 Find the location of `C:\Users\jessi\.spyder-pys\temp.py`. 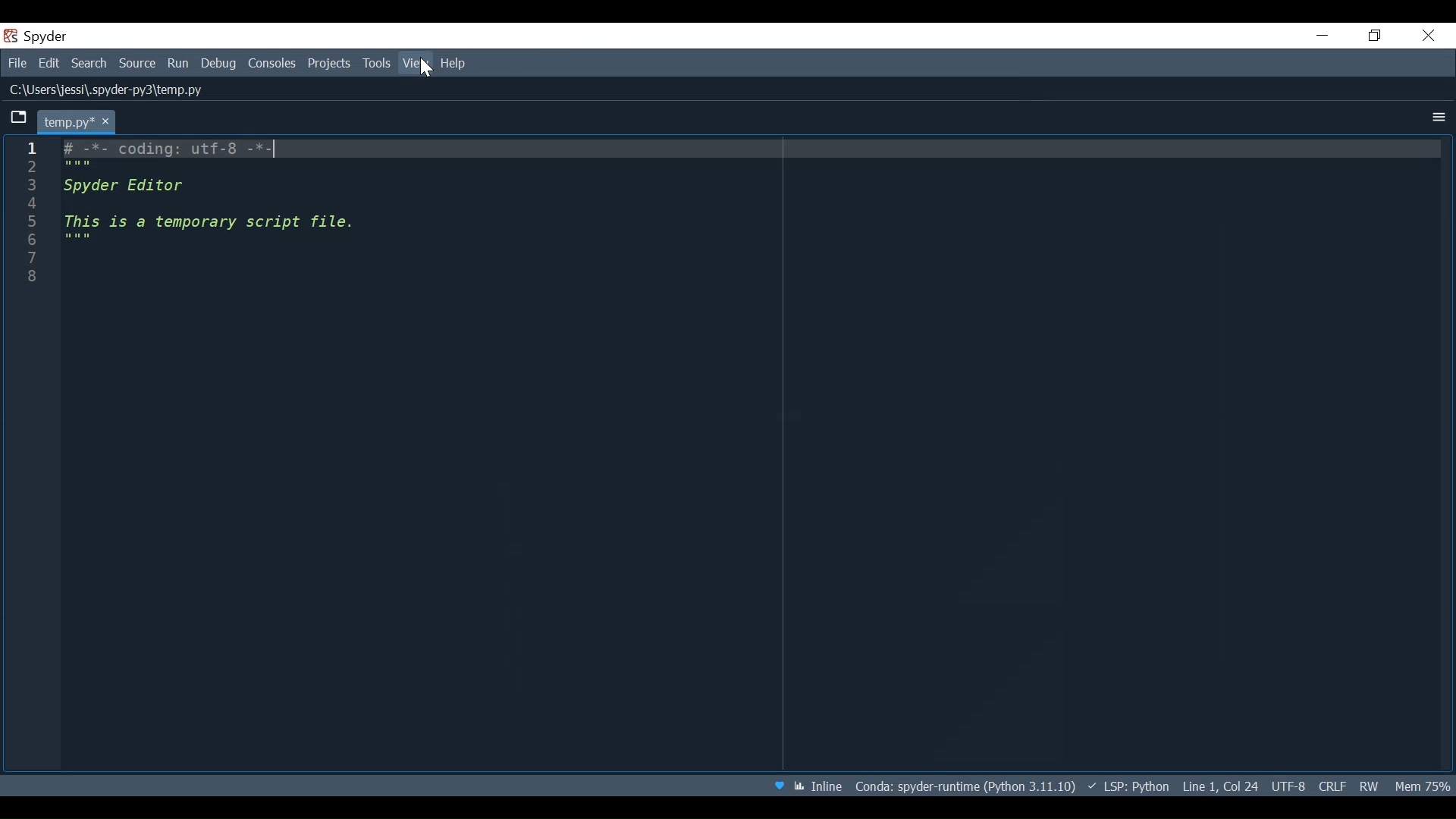

C:\Users\jessi\.spyder-pys\temp.py is located at coordinates (114, 92).